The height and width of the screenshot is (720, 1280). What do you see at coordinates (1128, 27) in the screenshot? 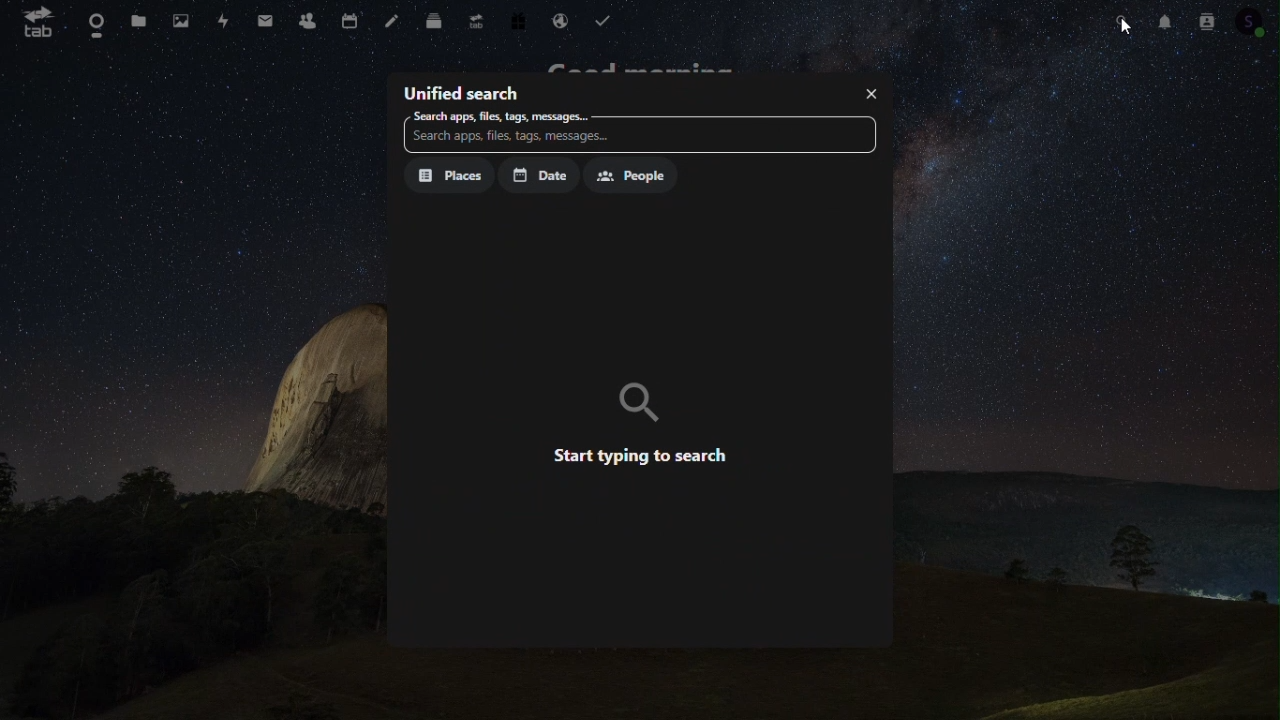
I see `` at bounding box center [1128, 27].